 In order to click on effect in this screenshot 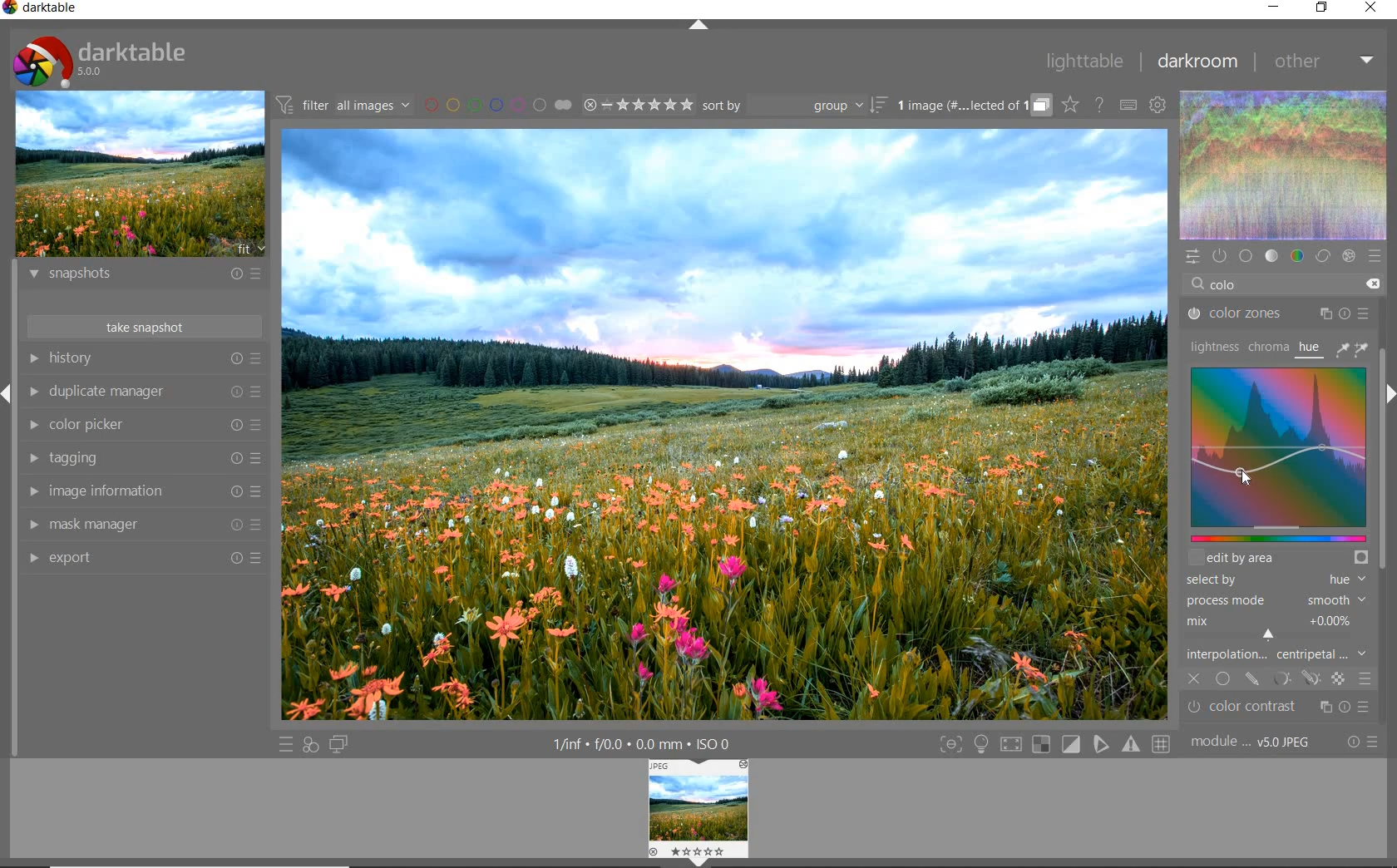, I will do `click(1348, 257)`.